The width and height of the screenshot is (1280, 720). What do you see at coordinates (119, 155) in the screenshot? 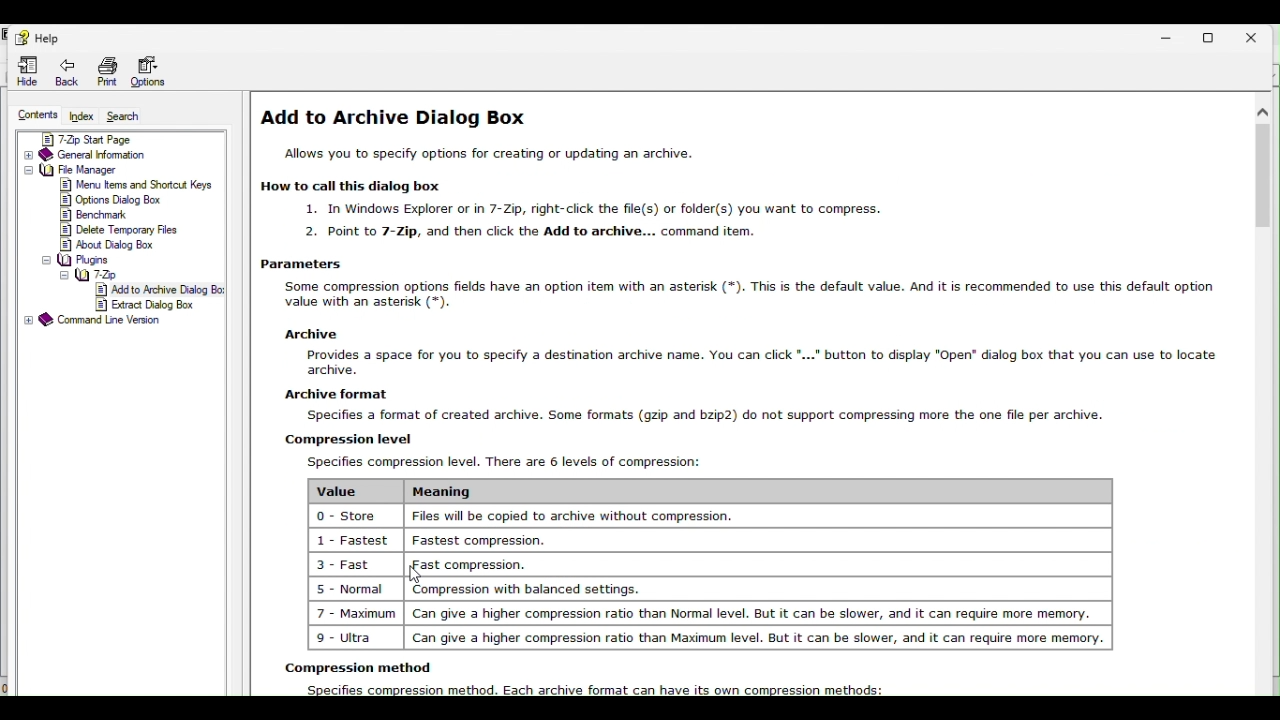
I see `General information` at bounding box center [119, 155].